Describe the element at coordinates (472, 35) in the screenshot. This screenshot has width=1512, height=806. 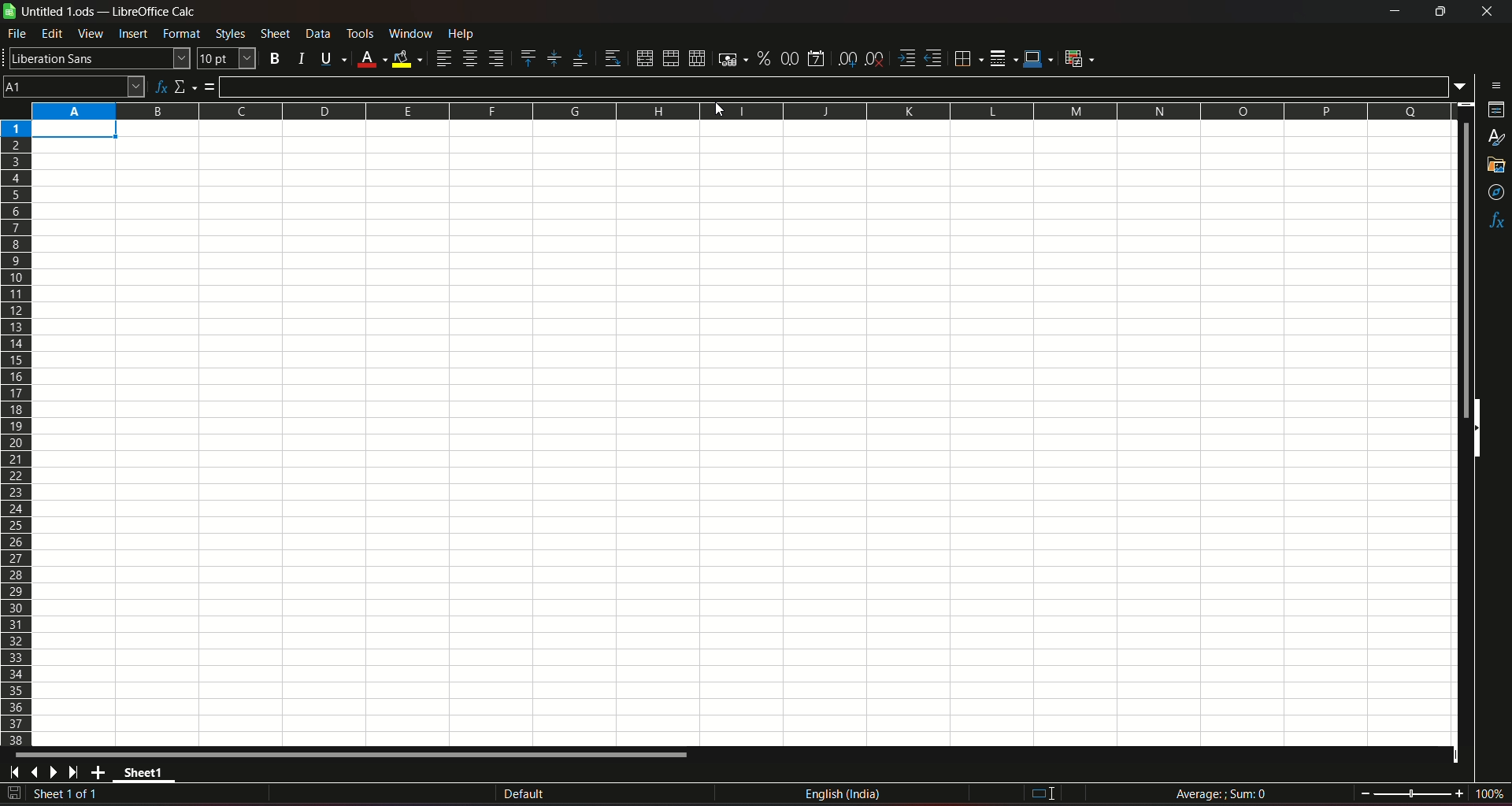
I see `help` at that location.